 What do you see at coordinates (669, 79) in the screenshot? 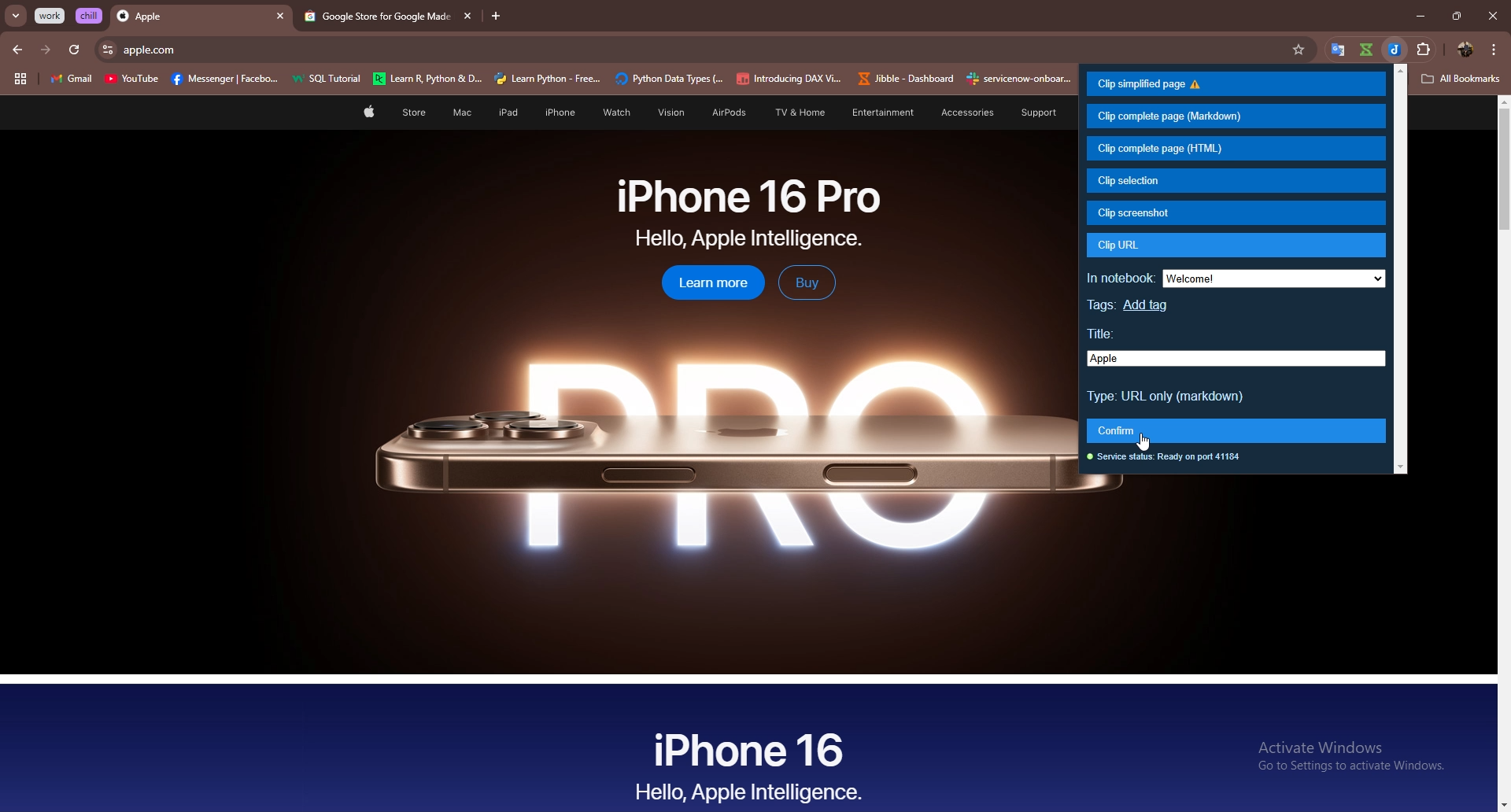
I see `Phyton Data Types(...` at bounding box center [669, 79].